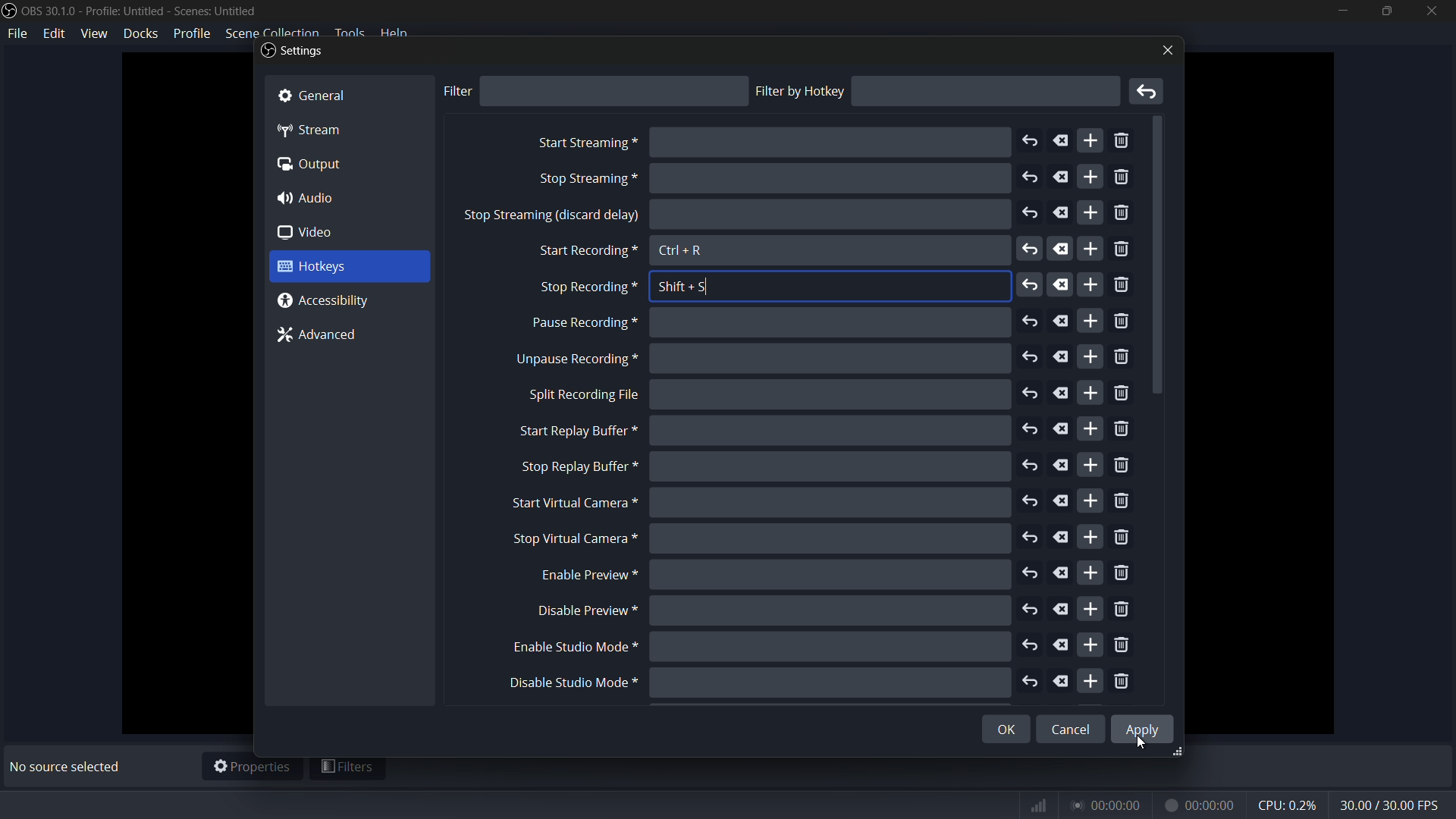 The width and height of the screenshot is (1456, 819). I want to click on stop screaming, so click(585, 180).